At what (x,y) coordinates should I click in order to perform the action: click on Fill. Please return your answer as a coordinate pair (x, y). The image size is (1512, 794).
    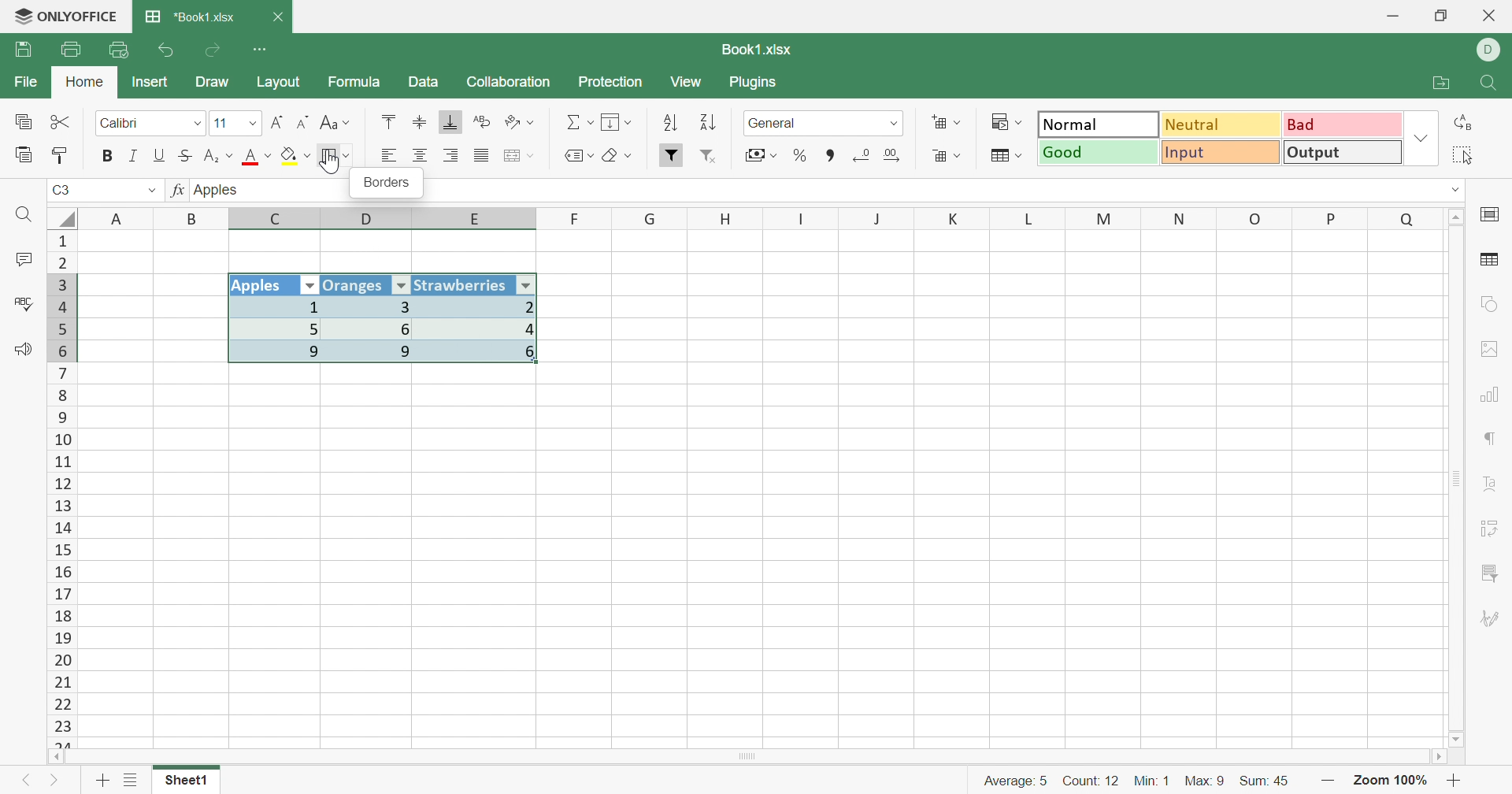
    Looking at the image, I should click on (618, 123).